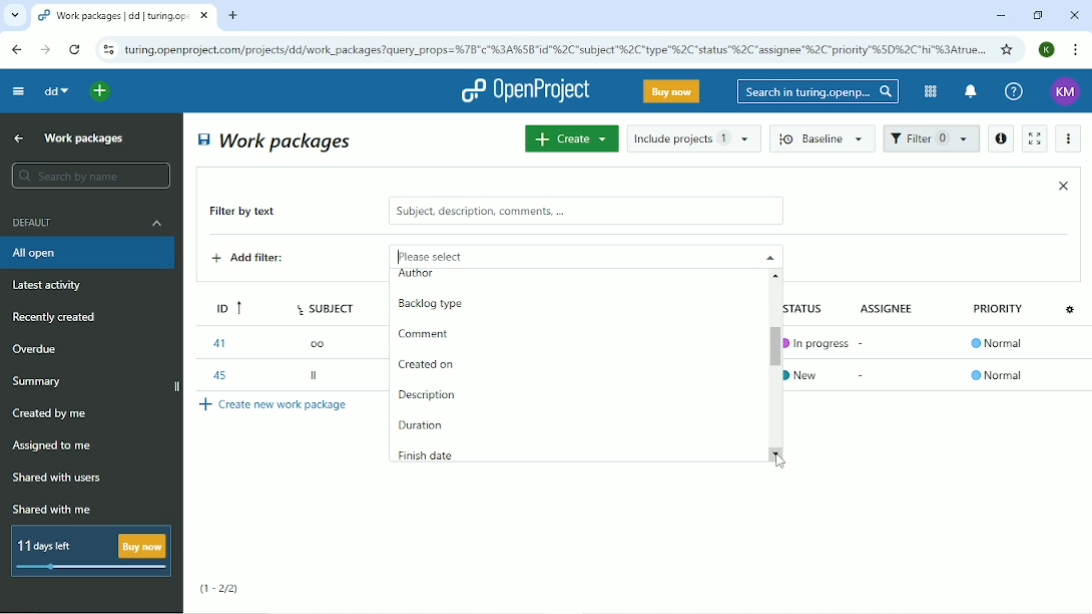 The width and height of the screenshot is (1092, 614). I want to click on Please select, so click(558, 255).